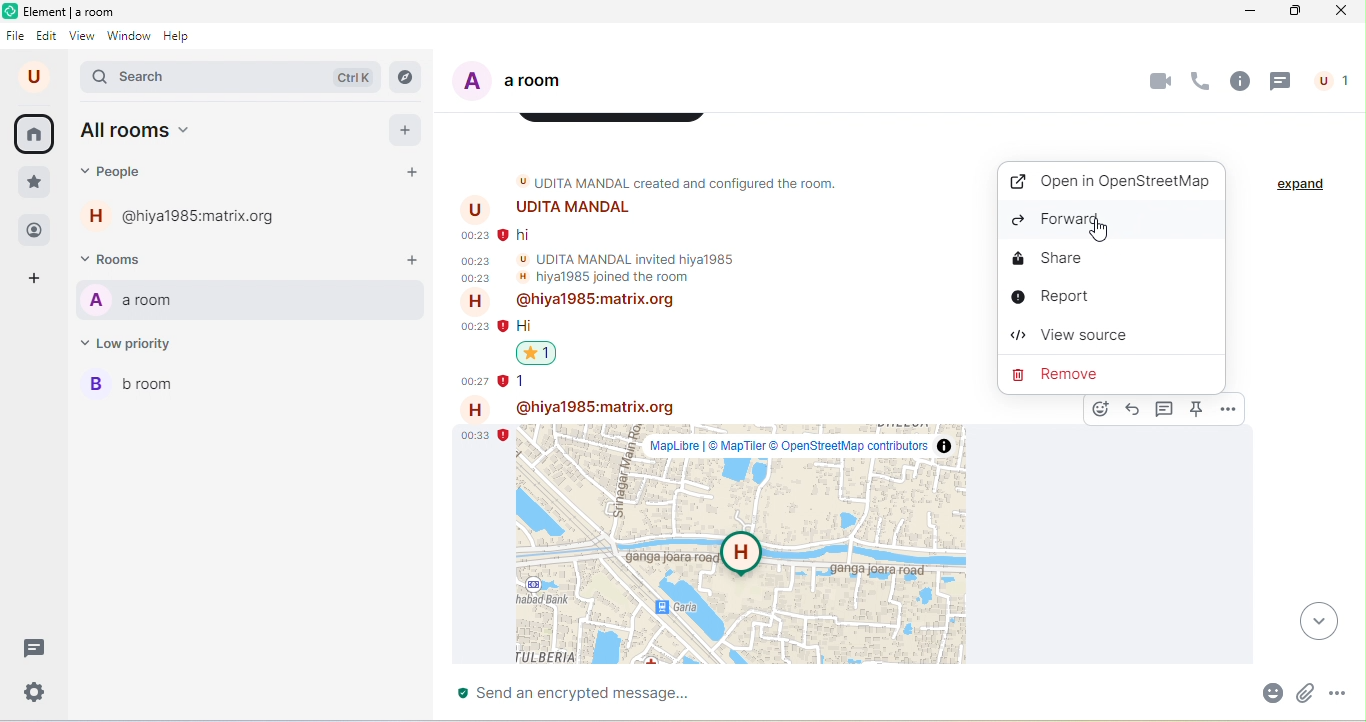 The height and width of the screenshot is (722, 1366). Describe the element at coordinates (219, 300) in the screenshot. I see `a room` at that location.